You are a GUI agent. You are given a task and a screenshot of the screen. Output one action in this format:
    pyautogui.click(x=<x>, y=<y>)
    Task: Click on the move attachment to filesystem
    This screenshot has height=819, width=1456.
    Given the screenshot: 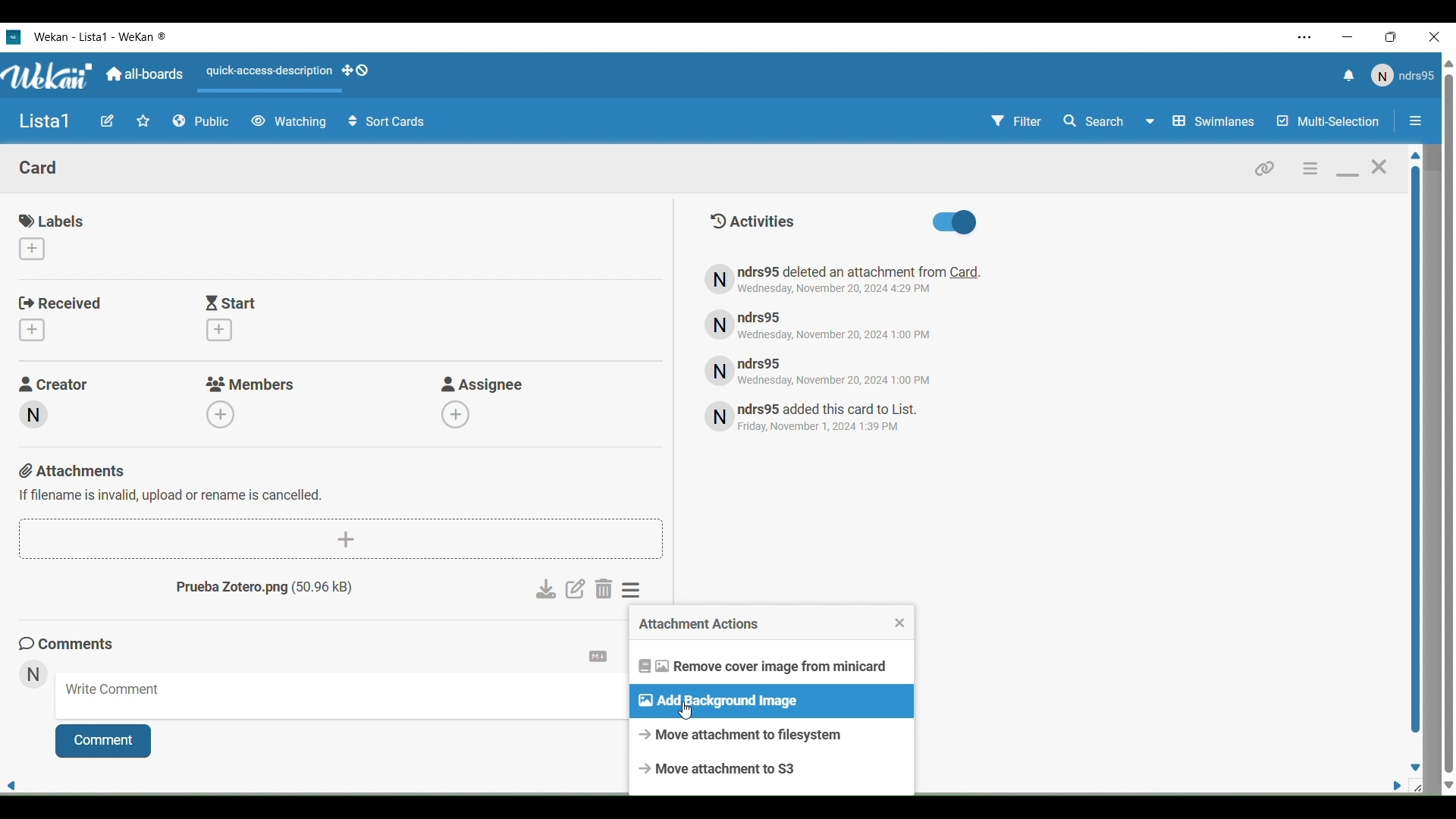 What is the action you would take?
    pyautogui.click(x=770, y=735)
    